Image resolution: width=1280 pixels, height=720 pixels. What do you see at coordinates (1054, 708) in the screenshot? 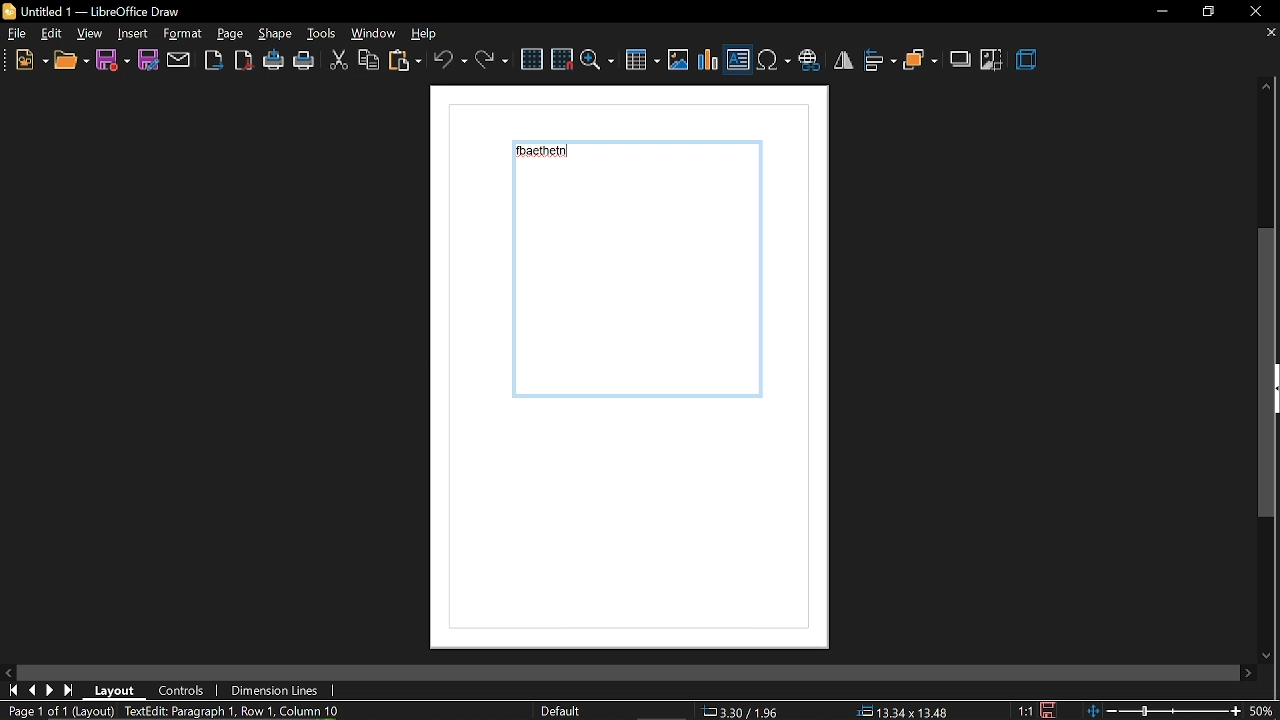
I see `save` at bounding box center [1054, 708].